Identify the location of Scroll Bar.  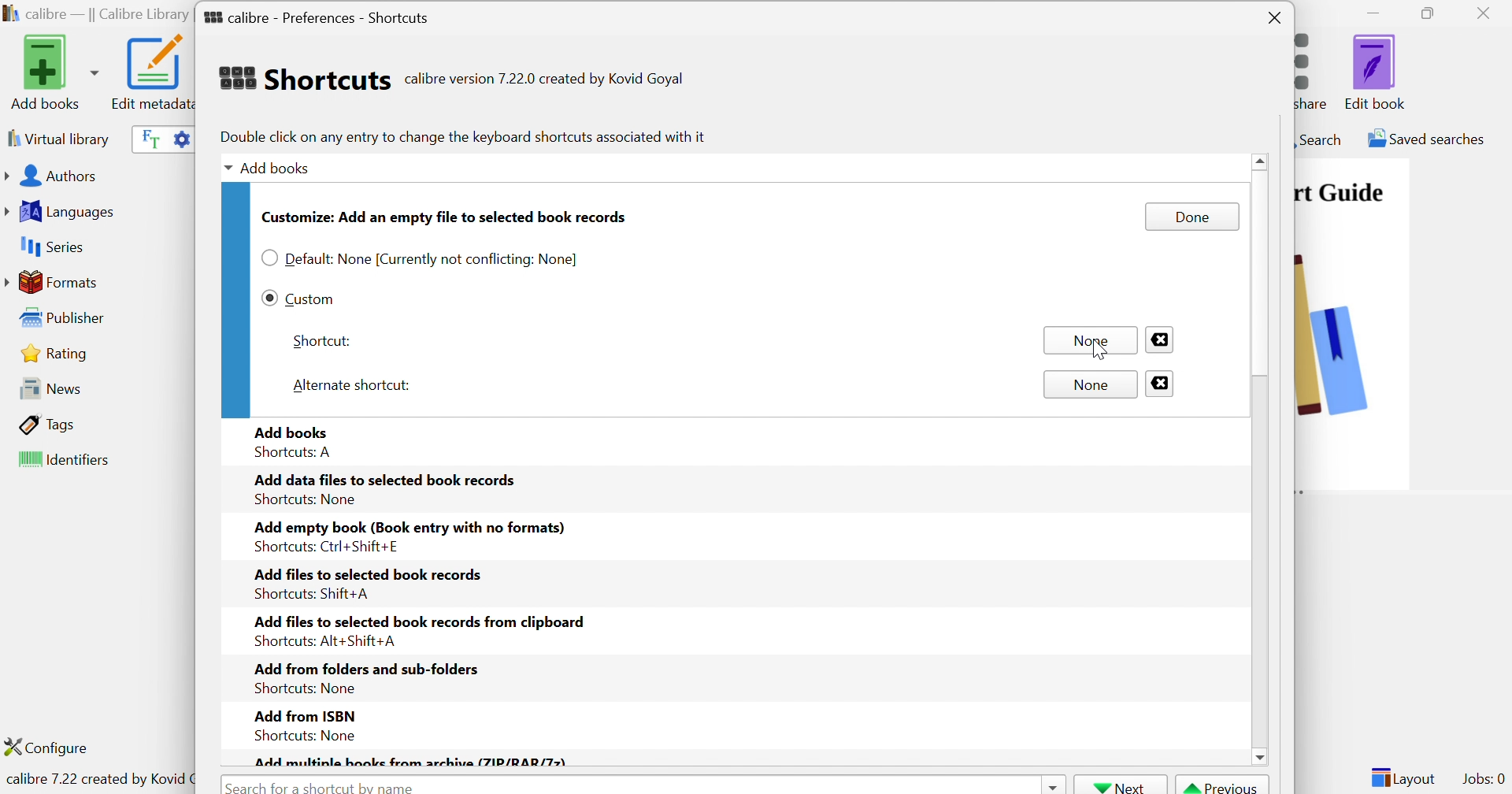
(1261, 297).